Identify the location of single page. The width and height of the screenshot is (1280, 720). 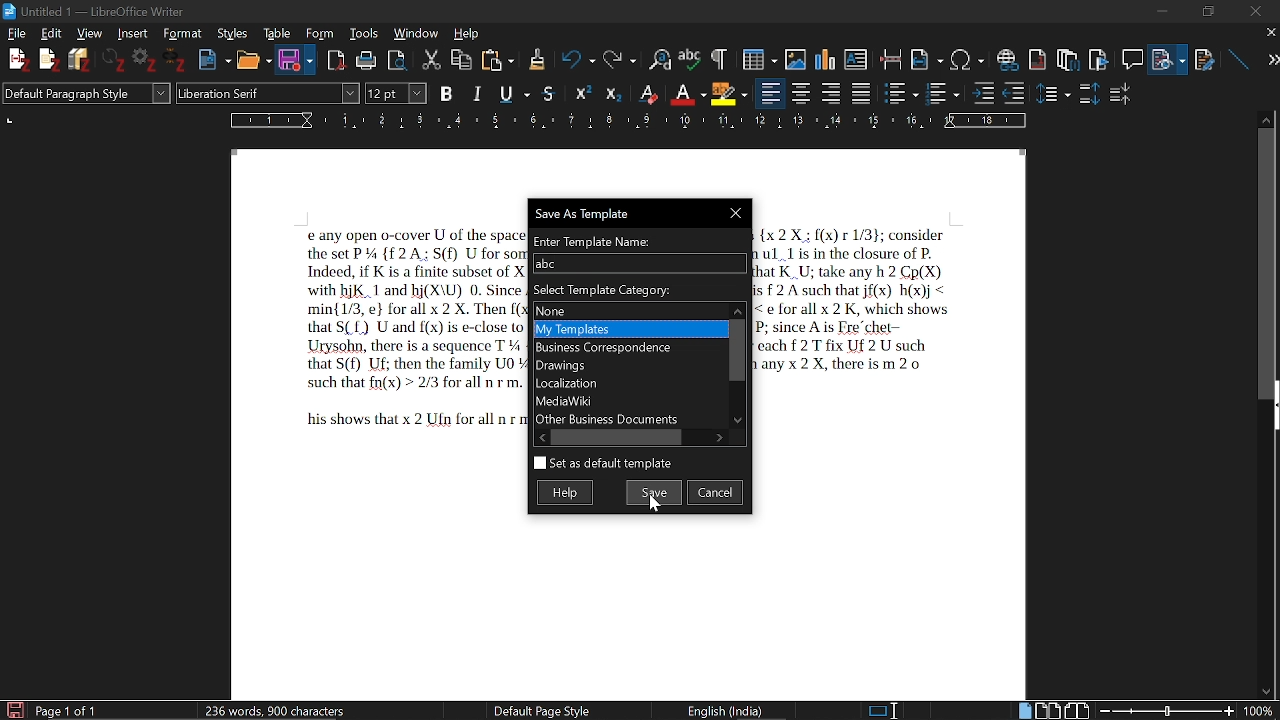
(1025, 710).